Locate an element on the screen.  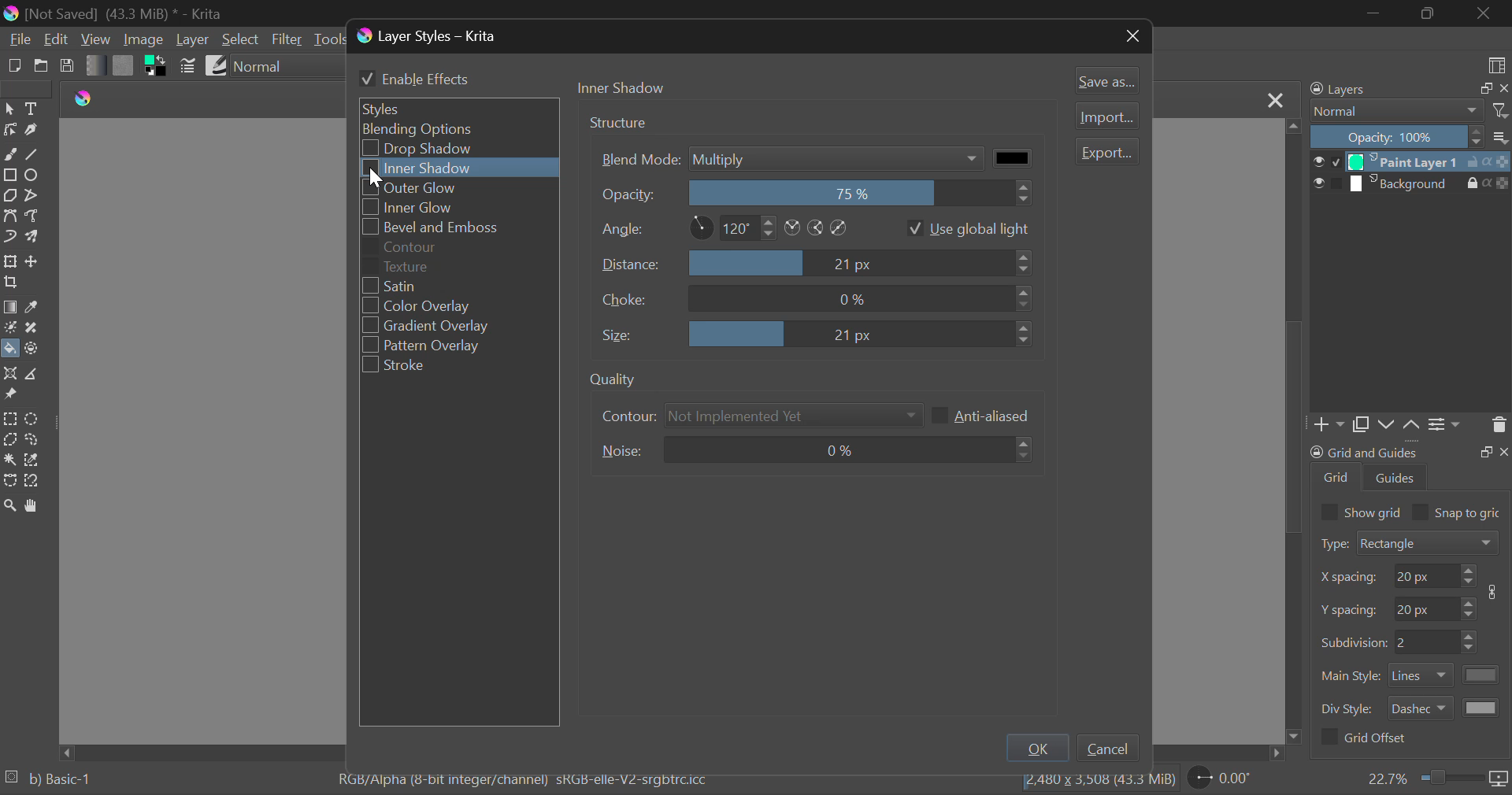
Choice is located at coordinates (816, 301).